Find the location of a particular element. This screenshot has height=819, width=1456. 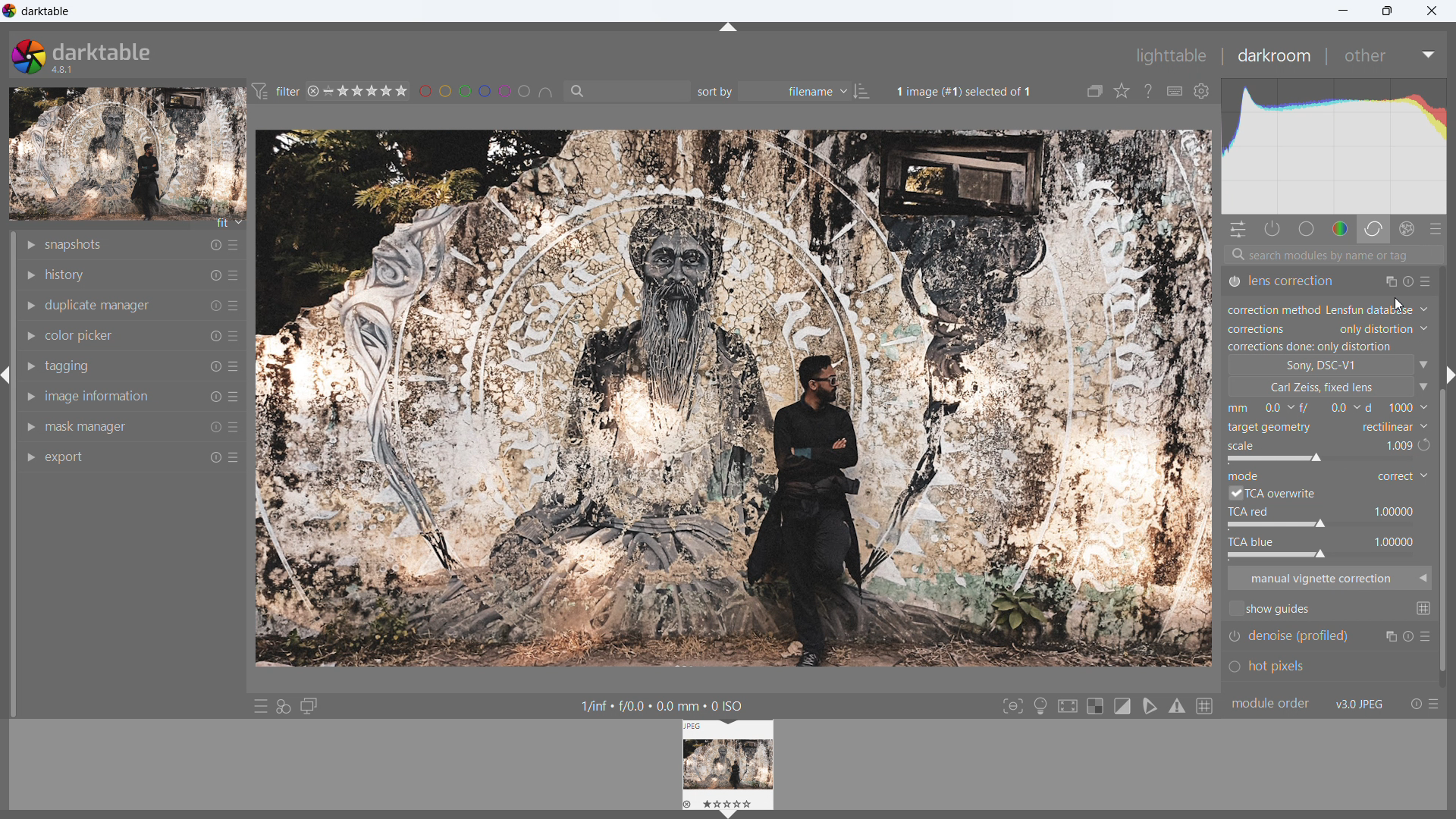

reset is located at coordinates (214, 308).